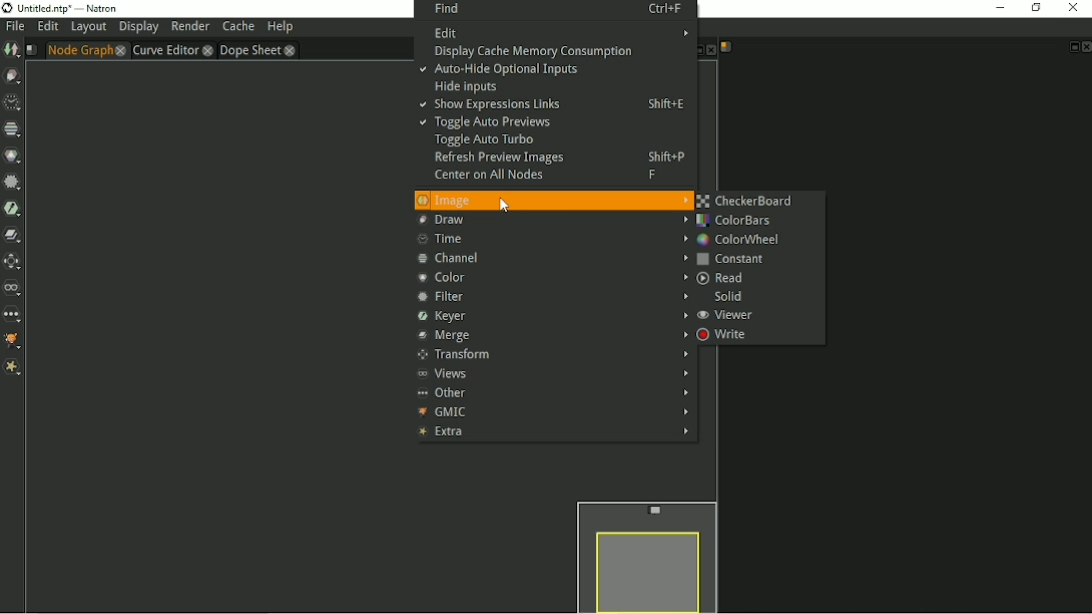 This screenshot has height=614, width=1092. I want to click on Display cache memory consumption, so click(542, 52).